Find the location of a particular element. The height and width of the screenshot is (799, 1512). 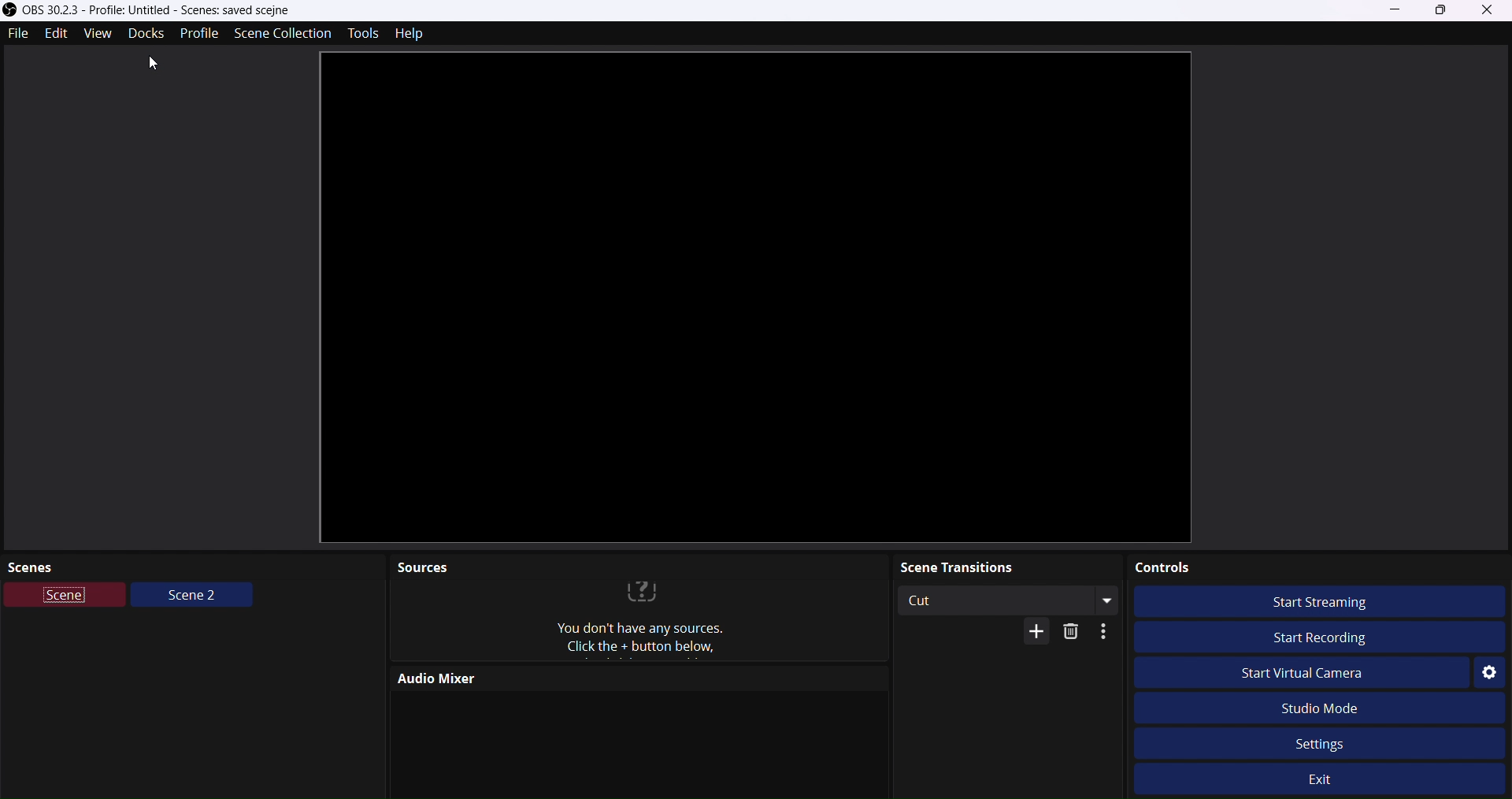

Sources is located at coordinates (639, 567).